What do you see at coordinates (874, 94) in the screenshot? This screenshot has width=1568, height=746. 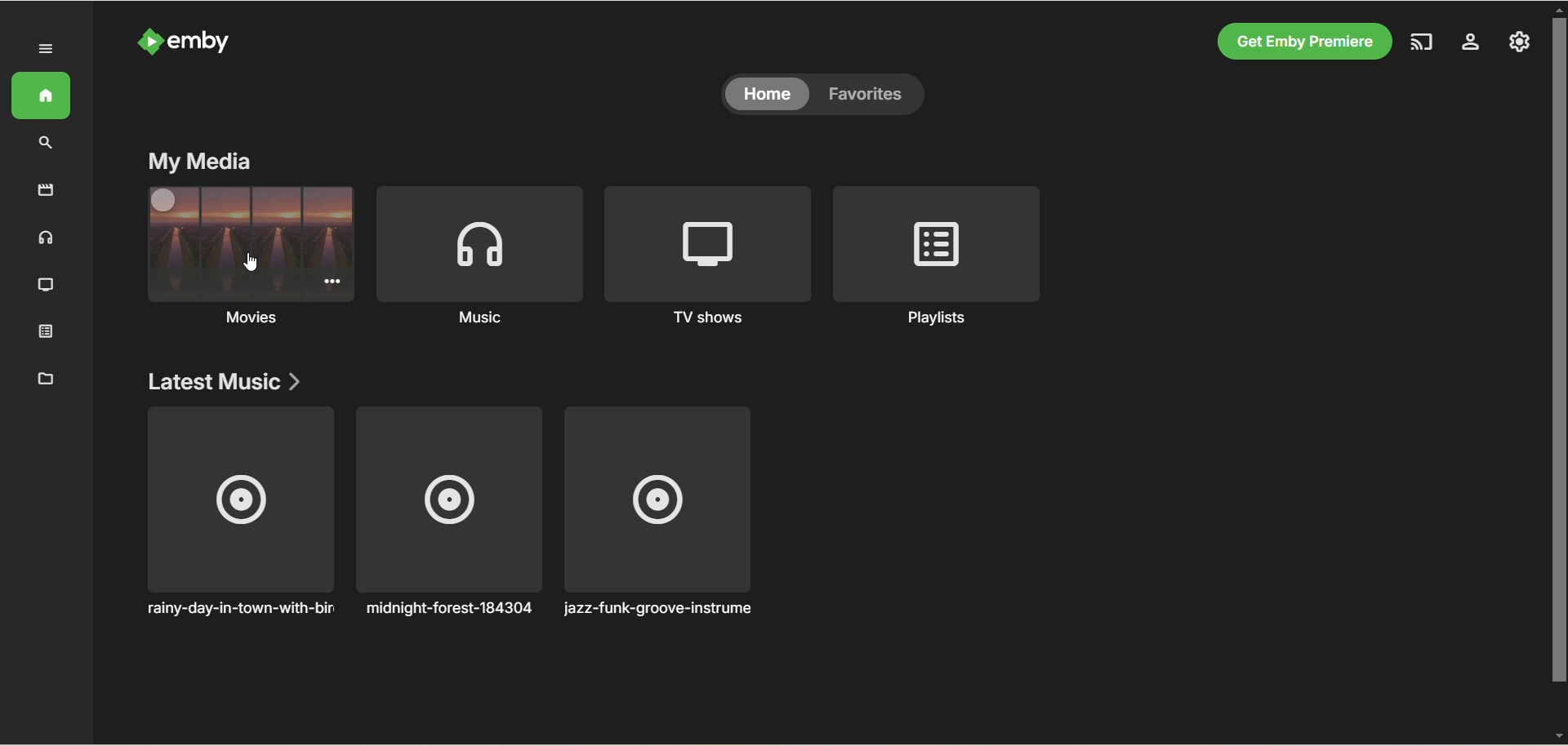 I see `favorites` at bounding box center [874, 94].